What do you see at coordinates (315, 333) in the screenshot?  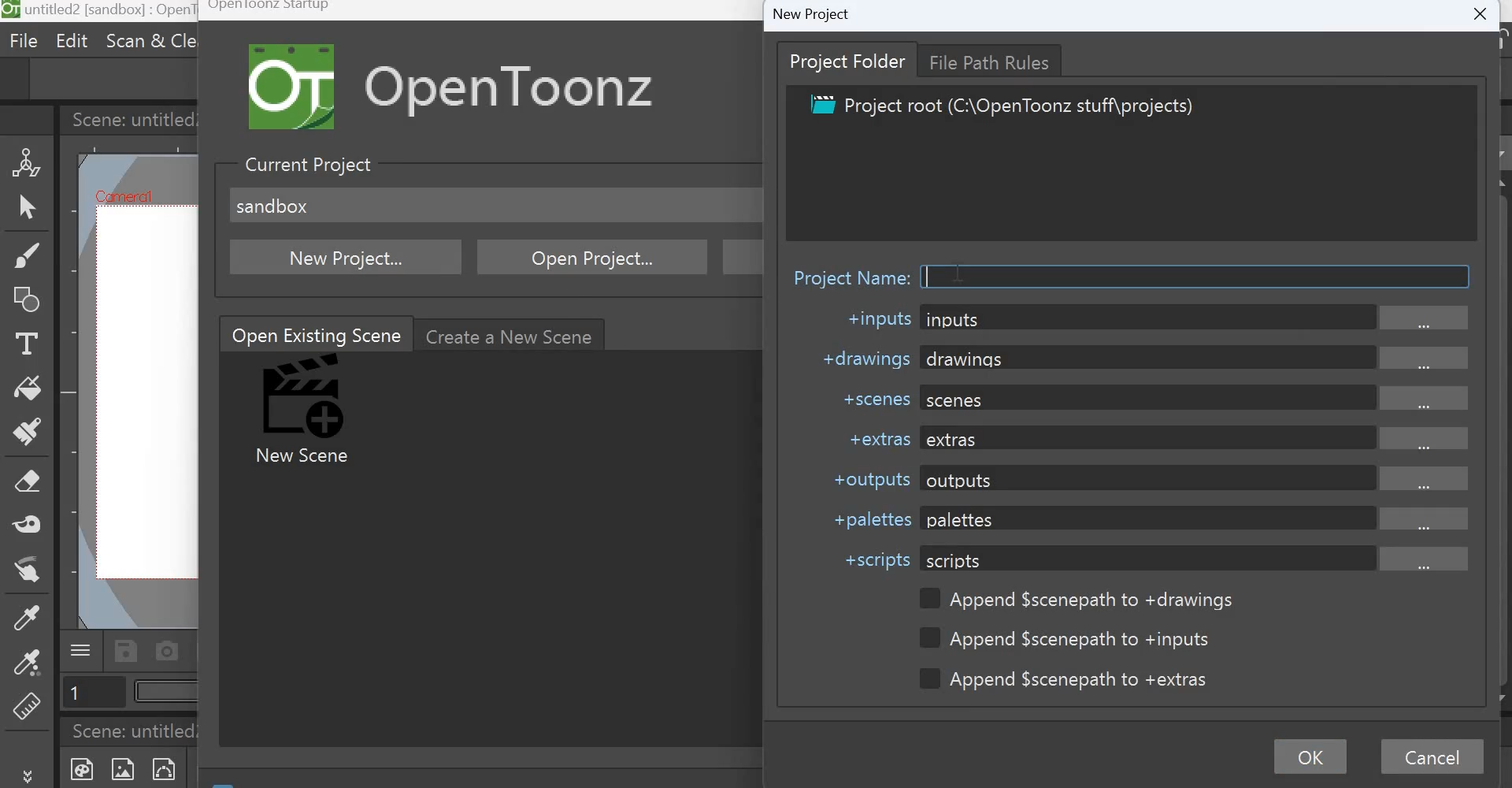 I see `Open Existing Scene` at bounding box center [315, 333].